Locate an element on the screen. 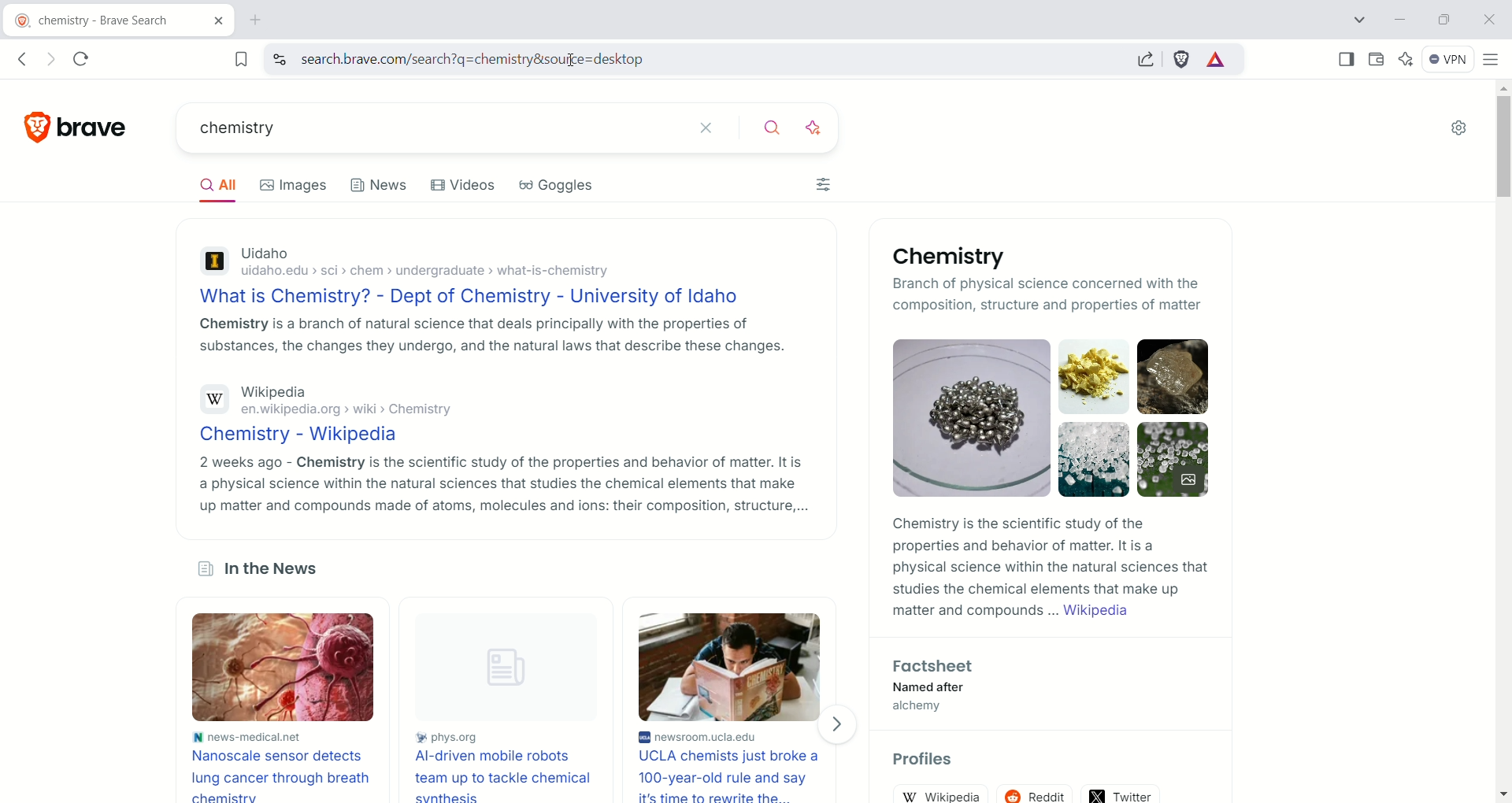  search tab is located at coordinates (1358, 20).